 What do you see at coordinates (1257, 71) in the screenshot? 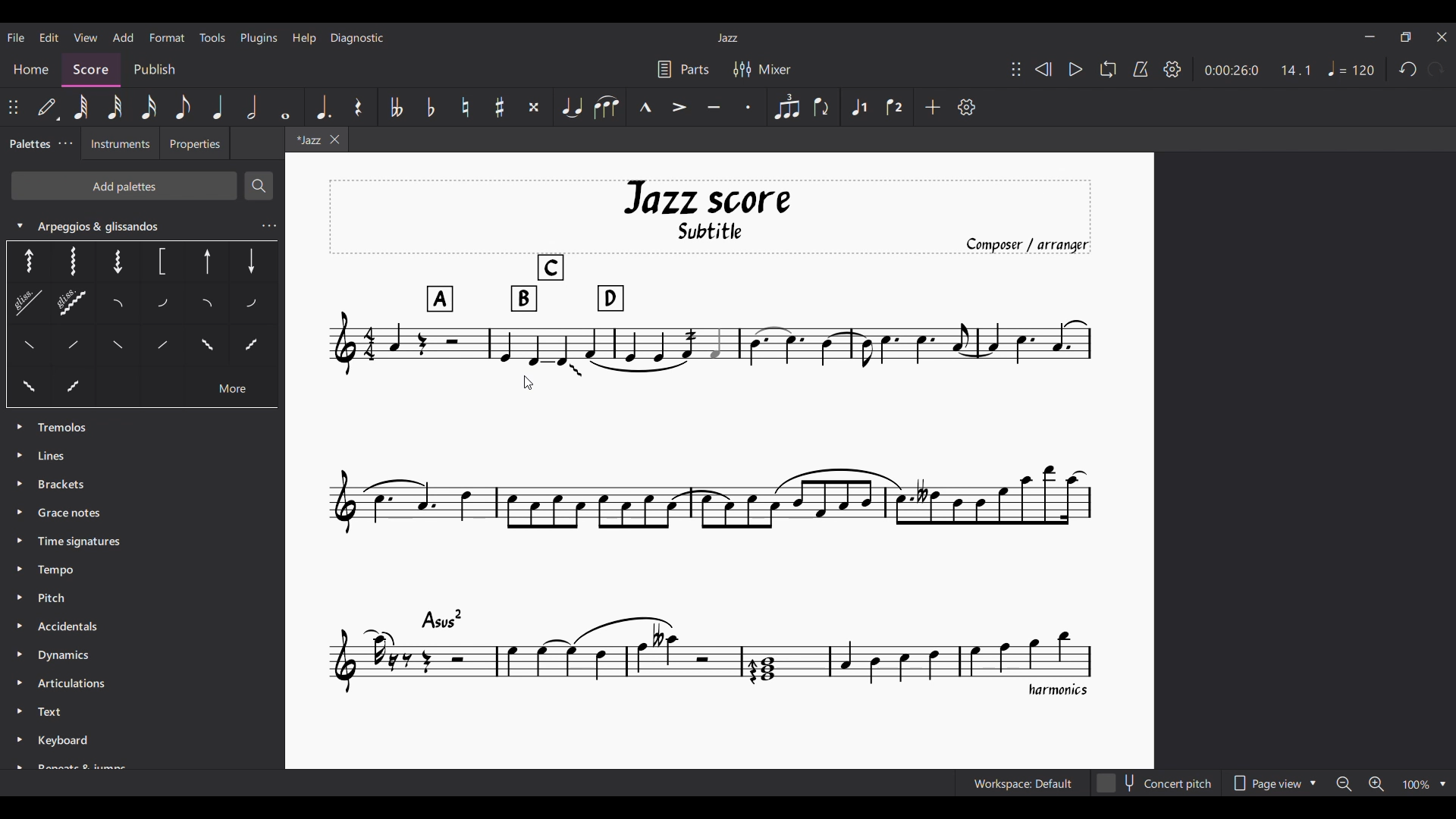
I see `Duration and ratio` at bounding box center [1257, 71].